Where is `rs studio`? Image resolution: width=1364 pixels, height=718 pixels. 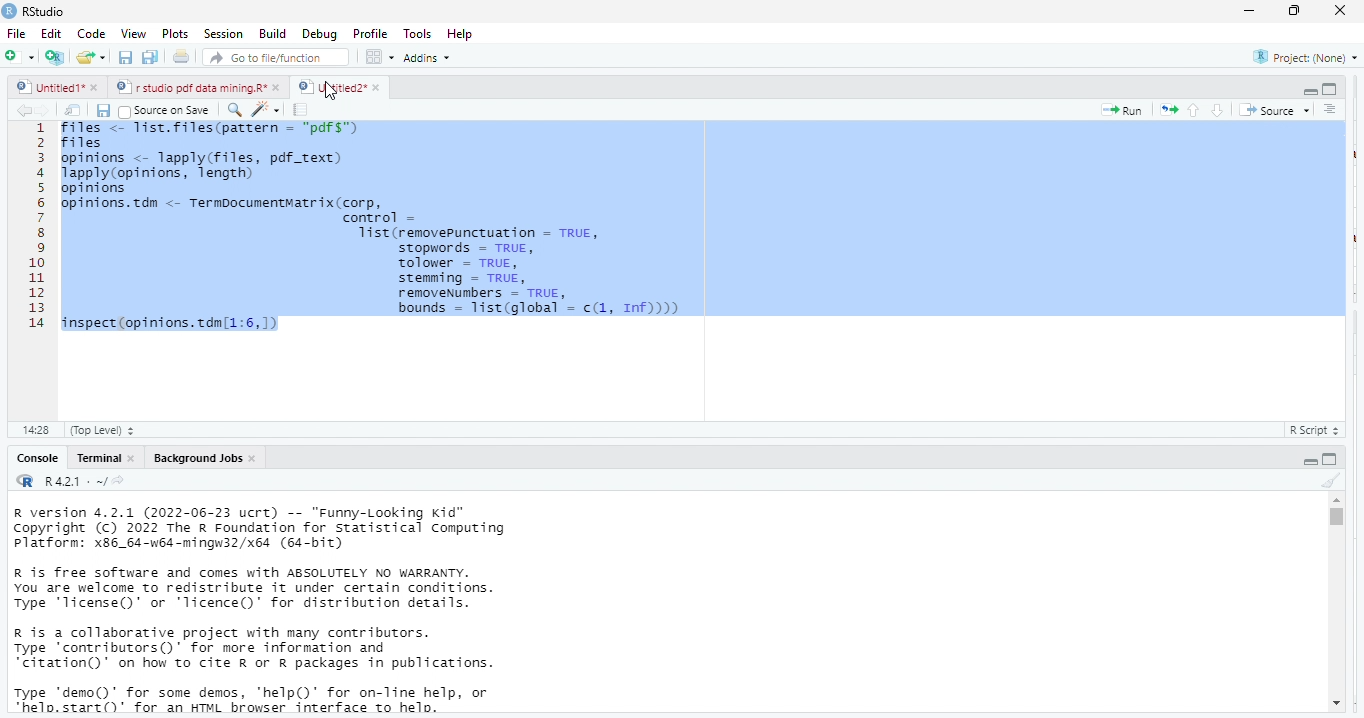 rs studio is located at coordinates (26, 482).